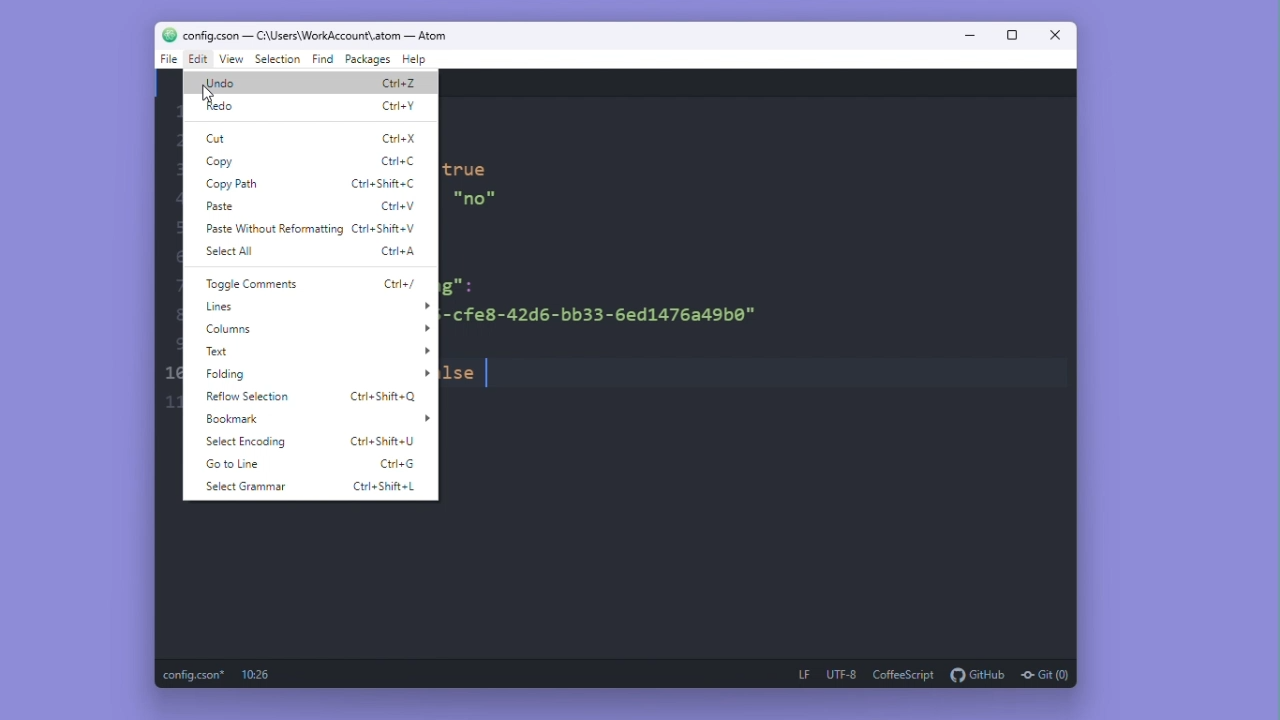 The image size is (1280, 720). Describe the element at coordinates (248, 488) in the screenshot. I see `Select Grammar` at that location.